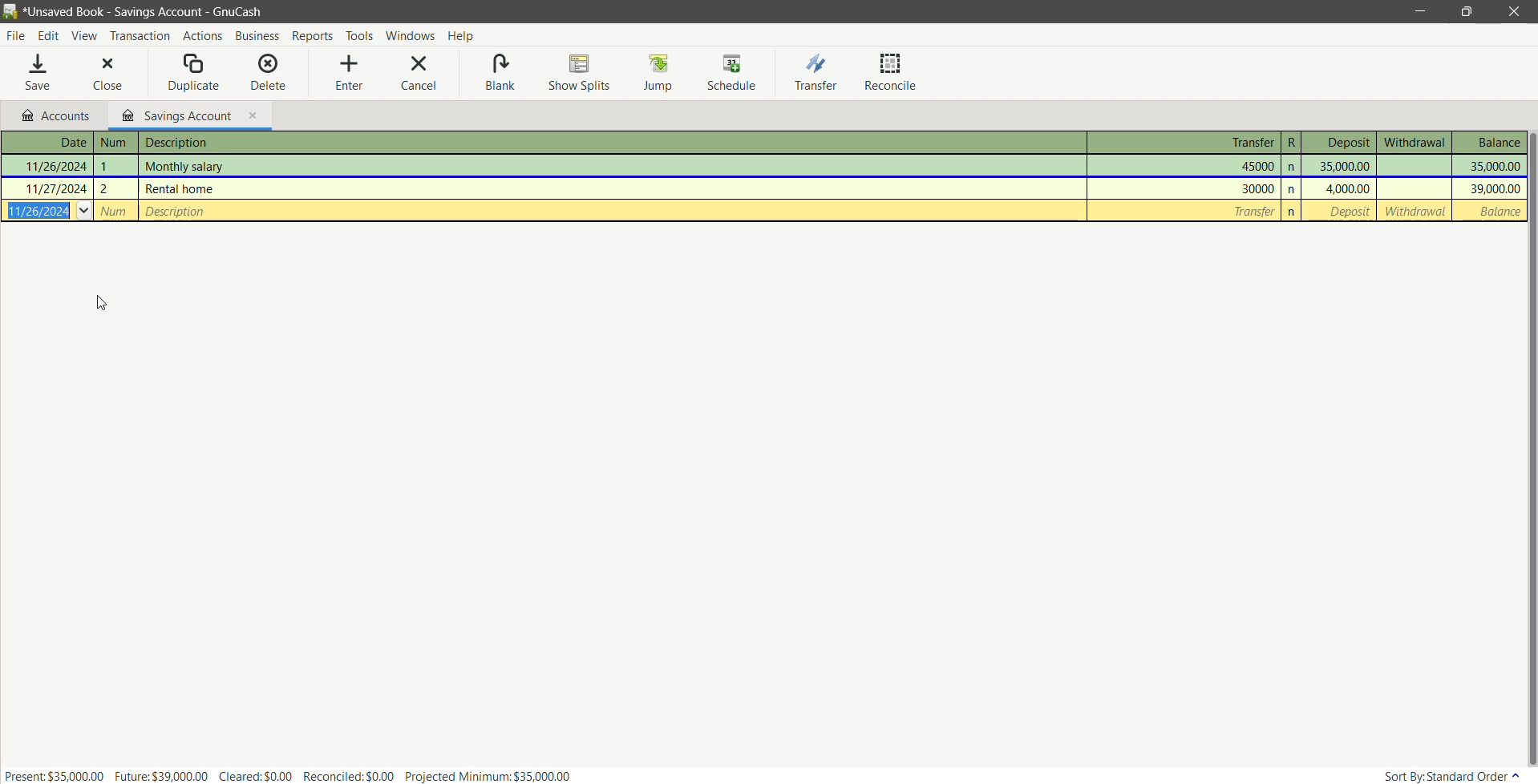 The width and height of the screenshot is (1538, 784). I want to click on 1, so click(116, 164).